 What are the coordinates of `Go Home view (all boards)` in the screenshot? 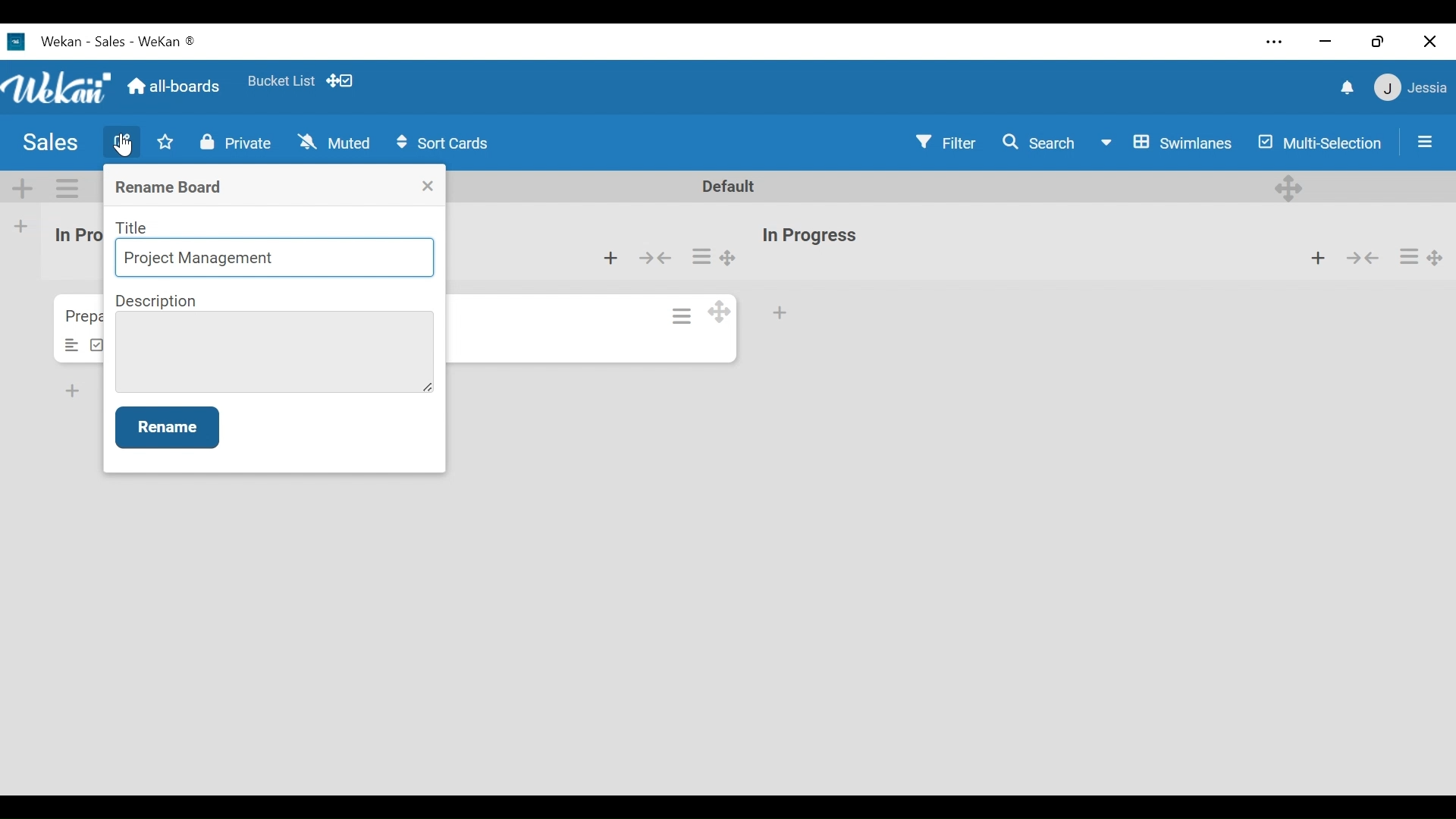 It's located at (176, 84).